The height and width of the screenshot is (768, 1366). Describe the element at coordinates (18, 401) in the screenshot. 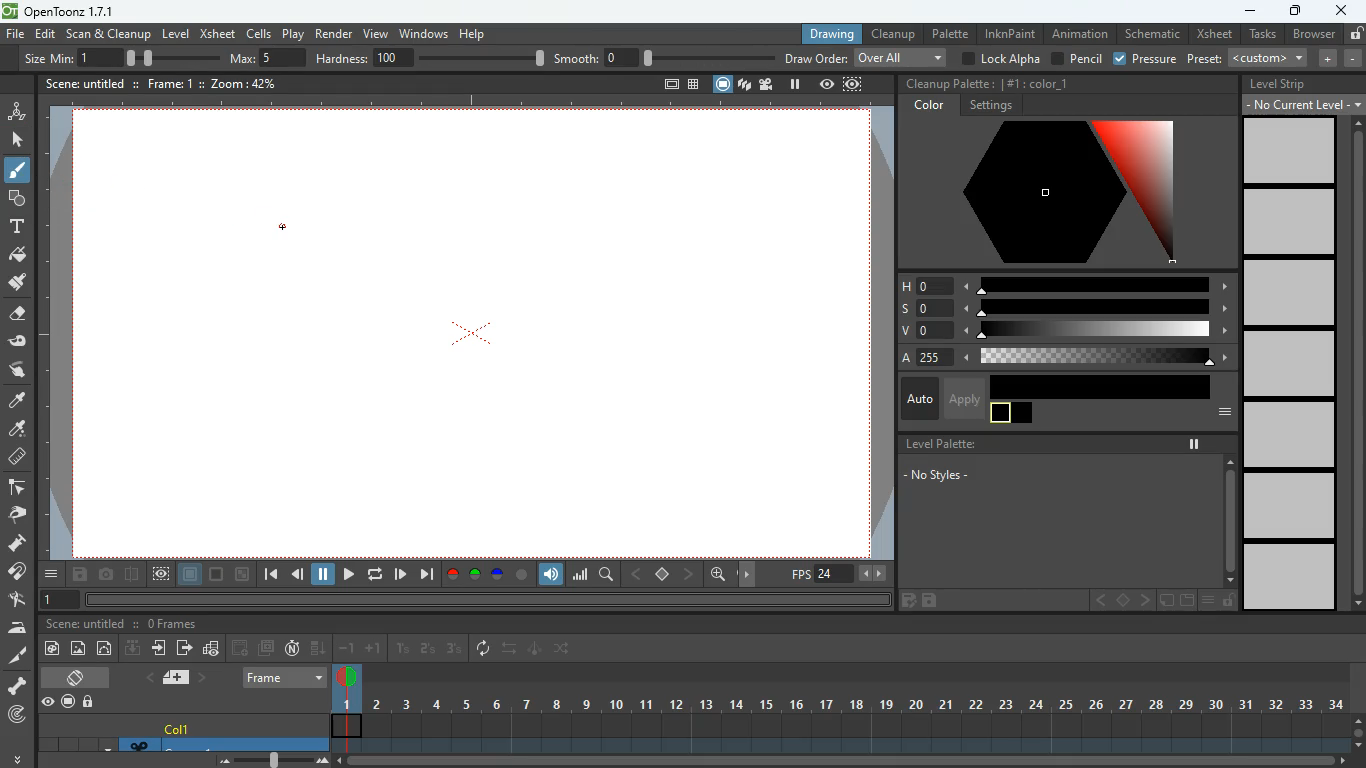

I see `a` at that location.